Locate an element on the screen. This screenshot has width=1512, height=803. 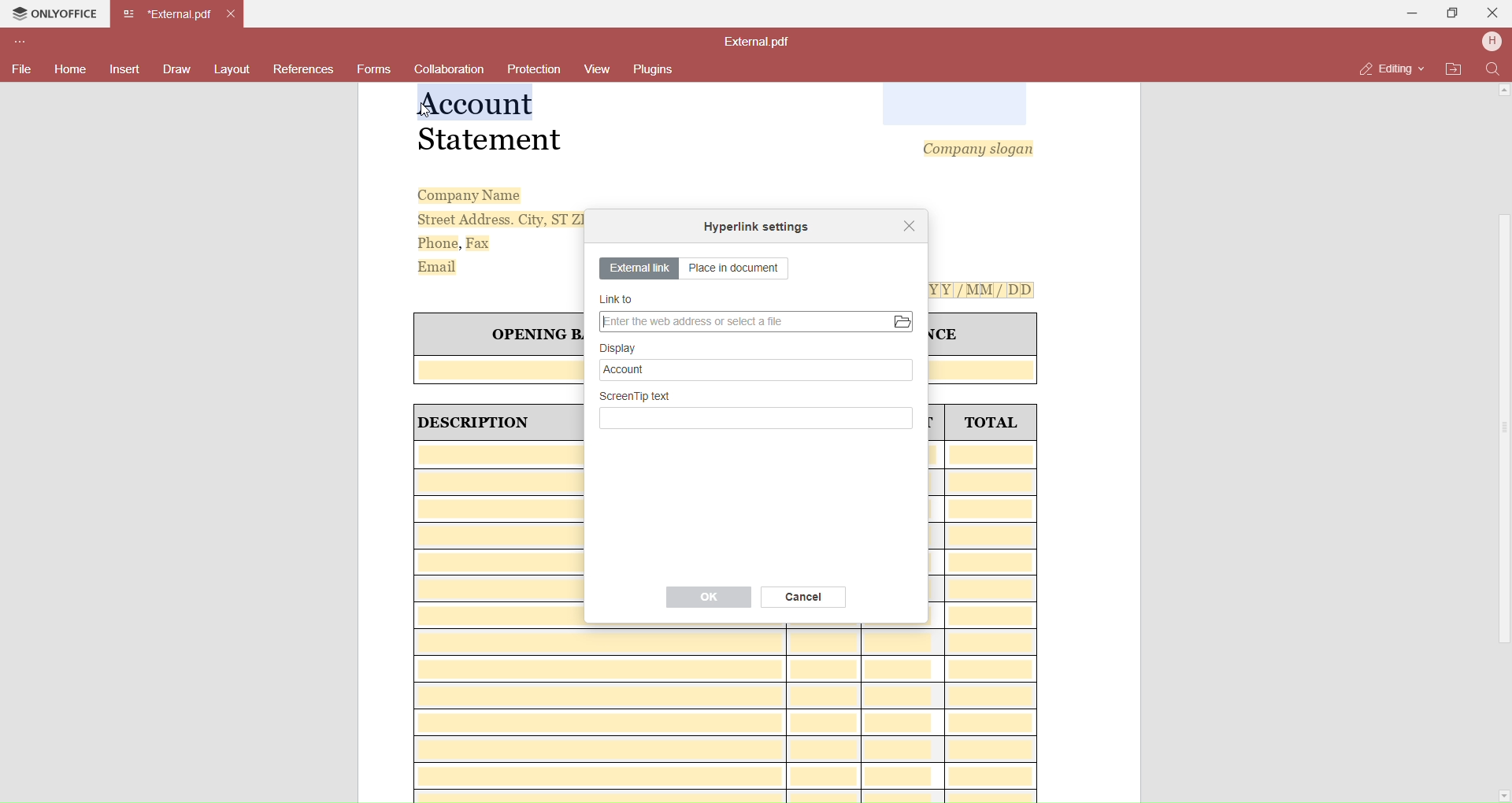
References is located at coordinates (303, 72).